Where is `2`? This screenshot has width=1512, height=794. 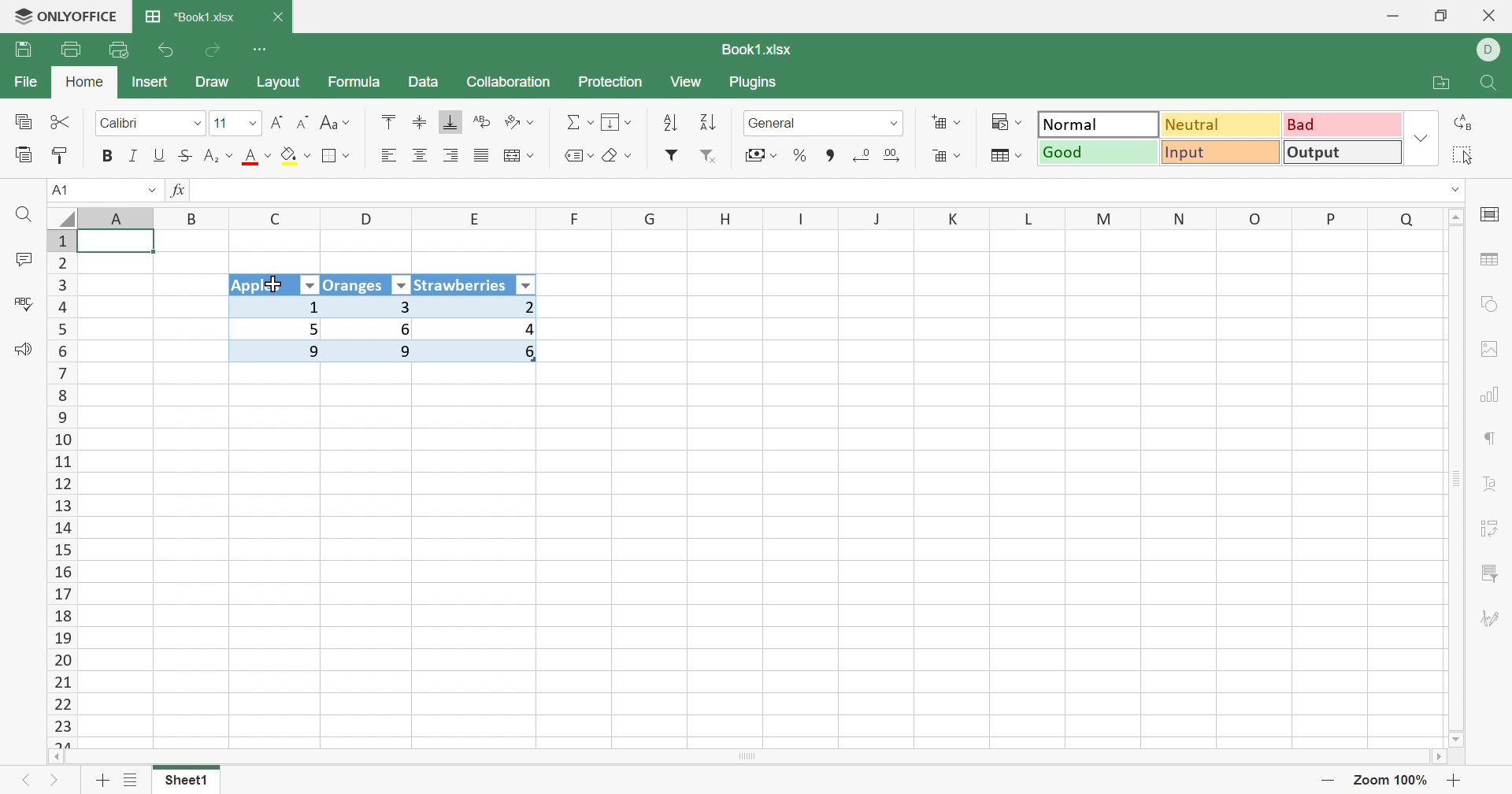 2 is located at coordinates (484, 306).